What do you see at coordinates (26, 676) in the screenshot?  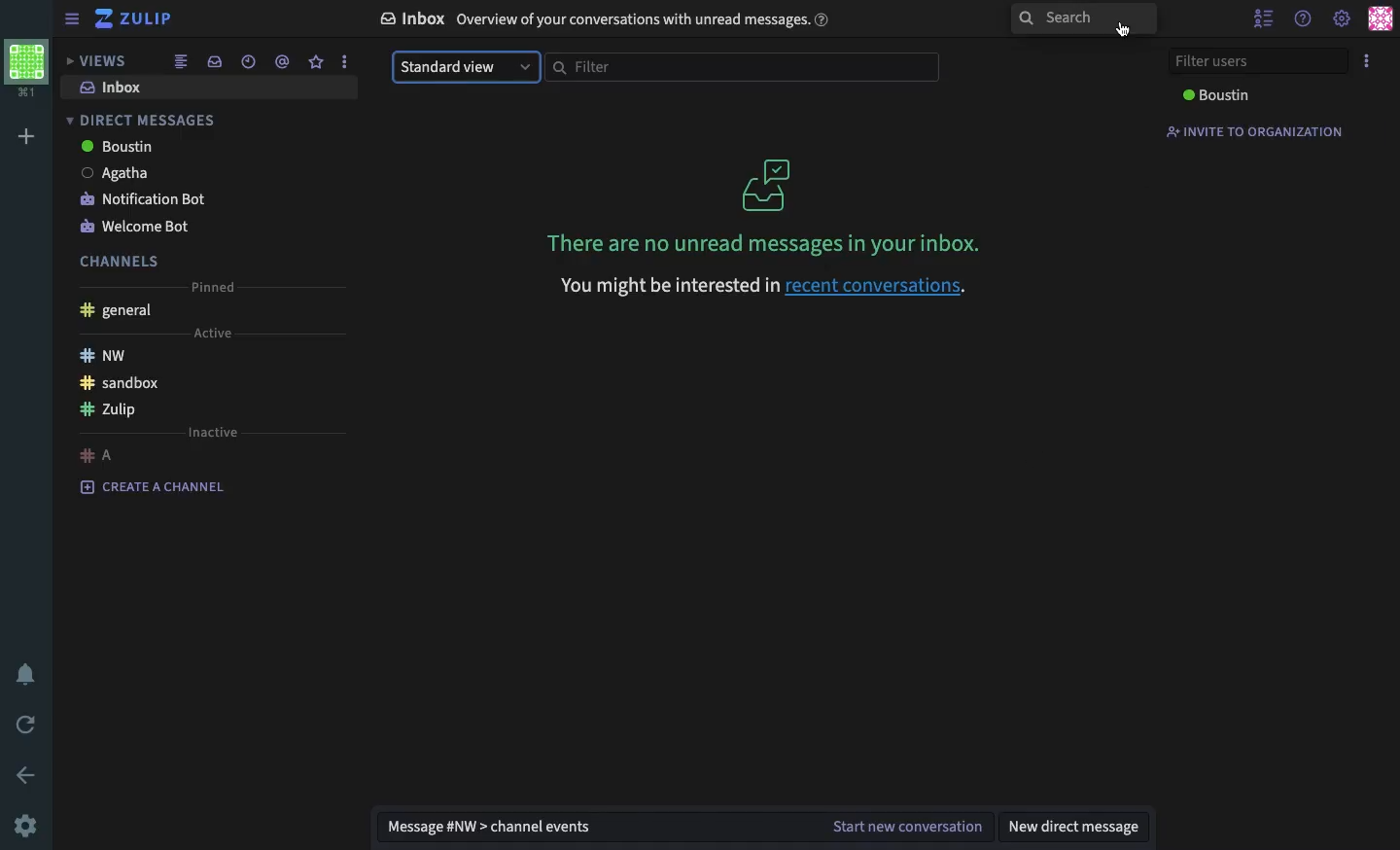 I see `notification` at bounding box center [26, 676].